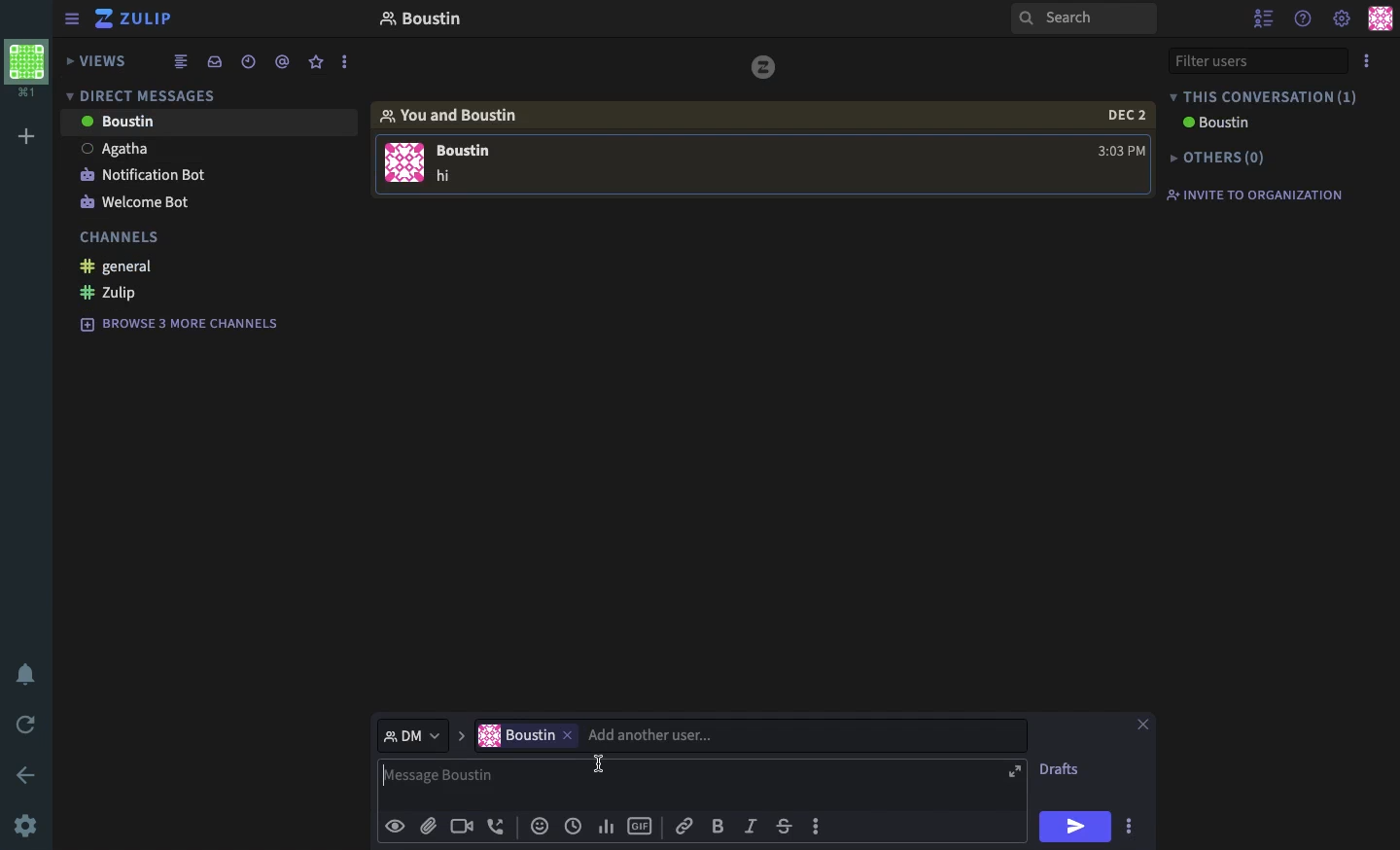  What do you see at coordinates (682, 785) in the screenshot?
I see `message boustin` at bounding box center [682, 785].